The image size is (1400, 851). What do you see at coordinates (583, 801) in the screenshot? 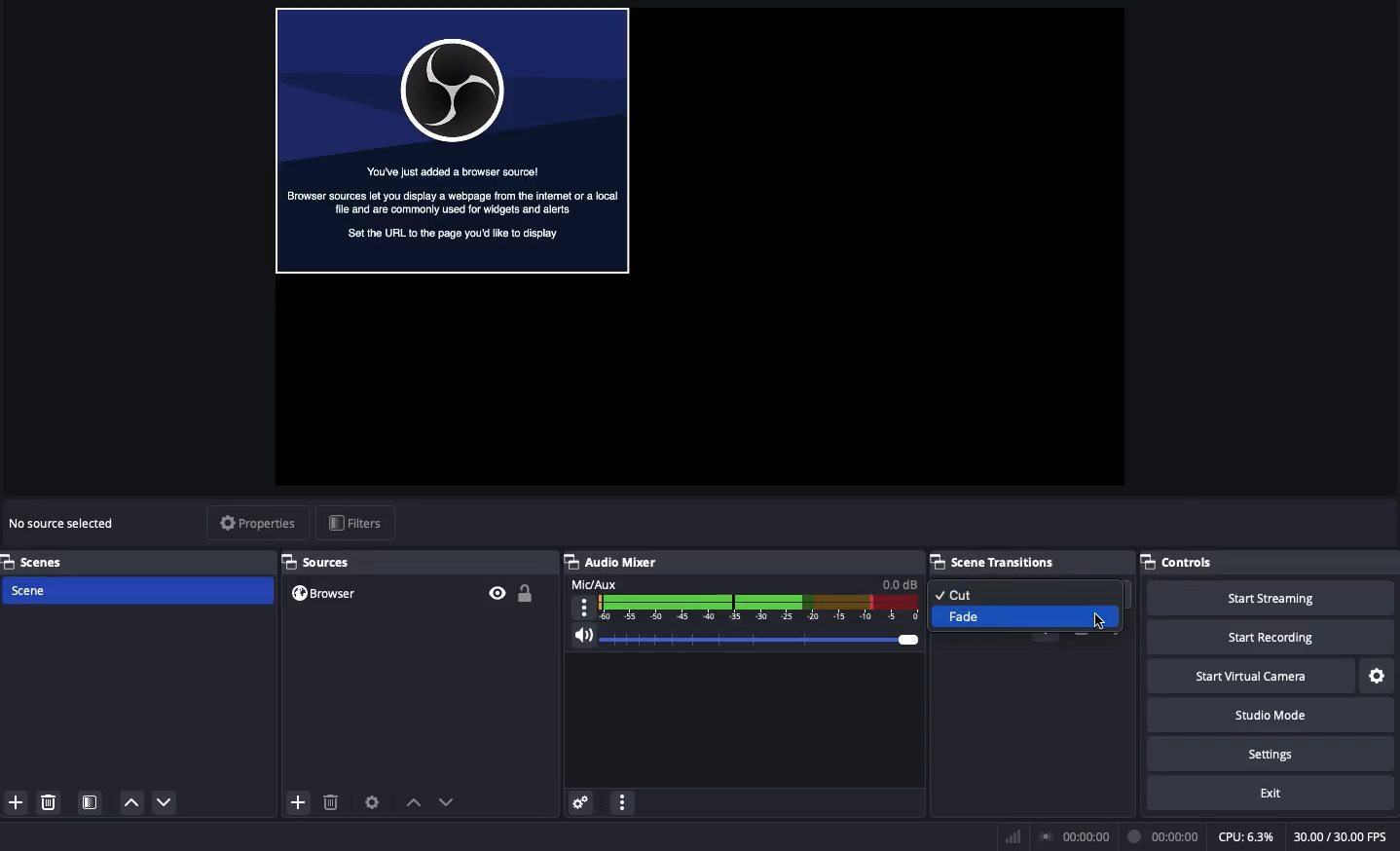
I see `Advanced audio menu` at bounding box center [583, 801].